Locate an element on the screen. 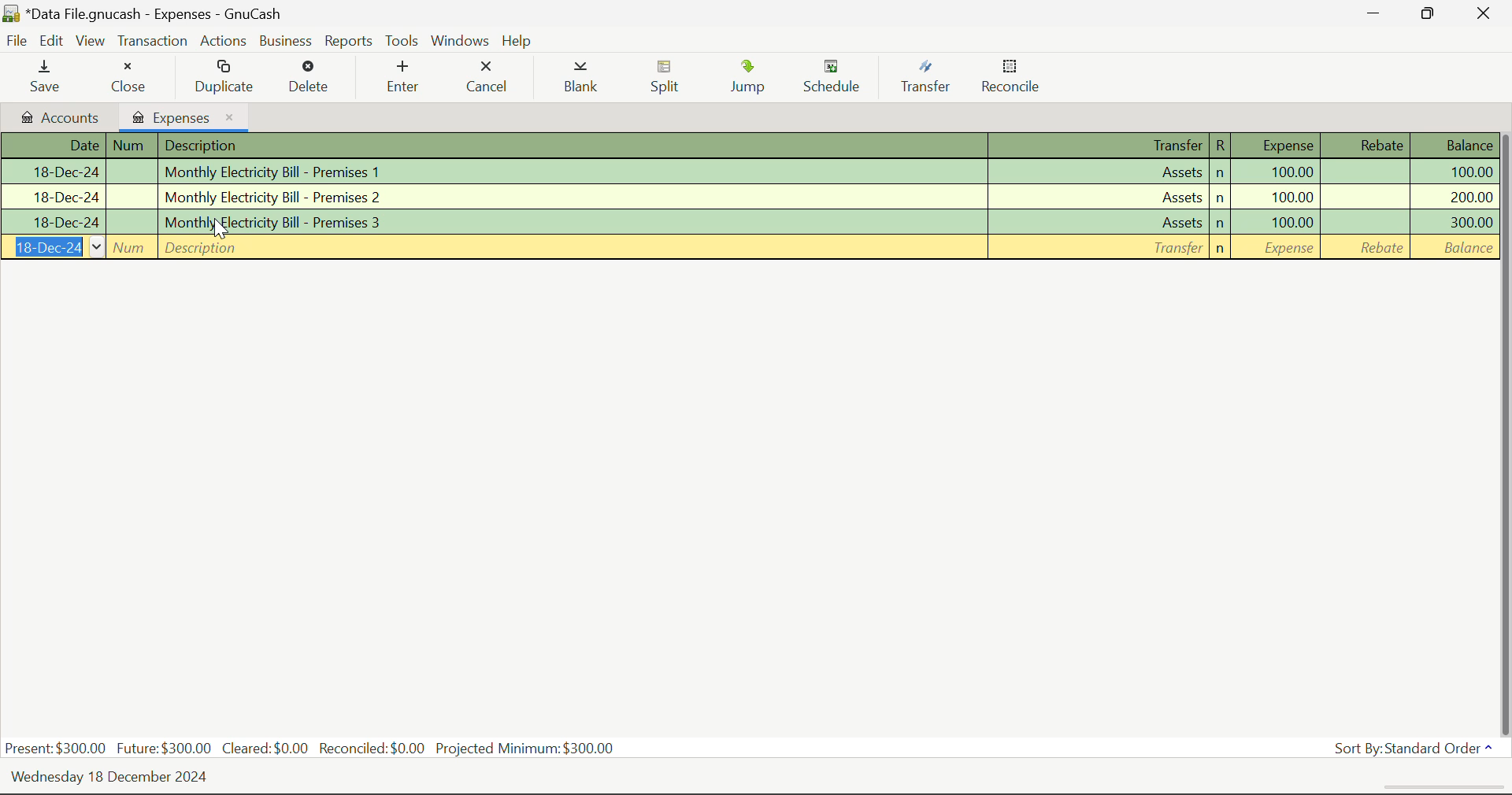  View is located at coordinates (91, 44).